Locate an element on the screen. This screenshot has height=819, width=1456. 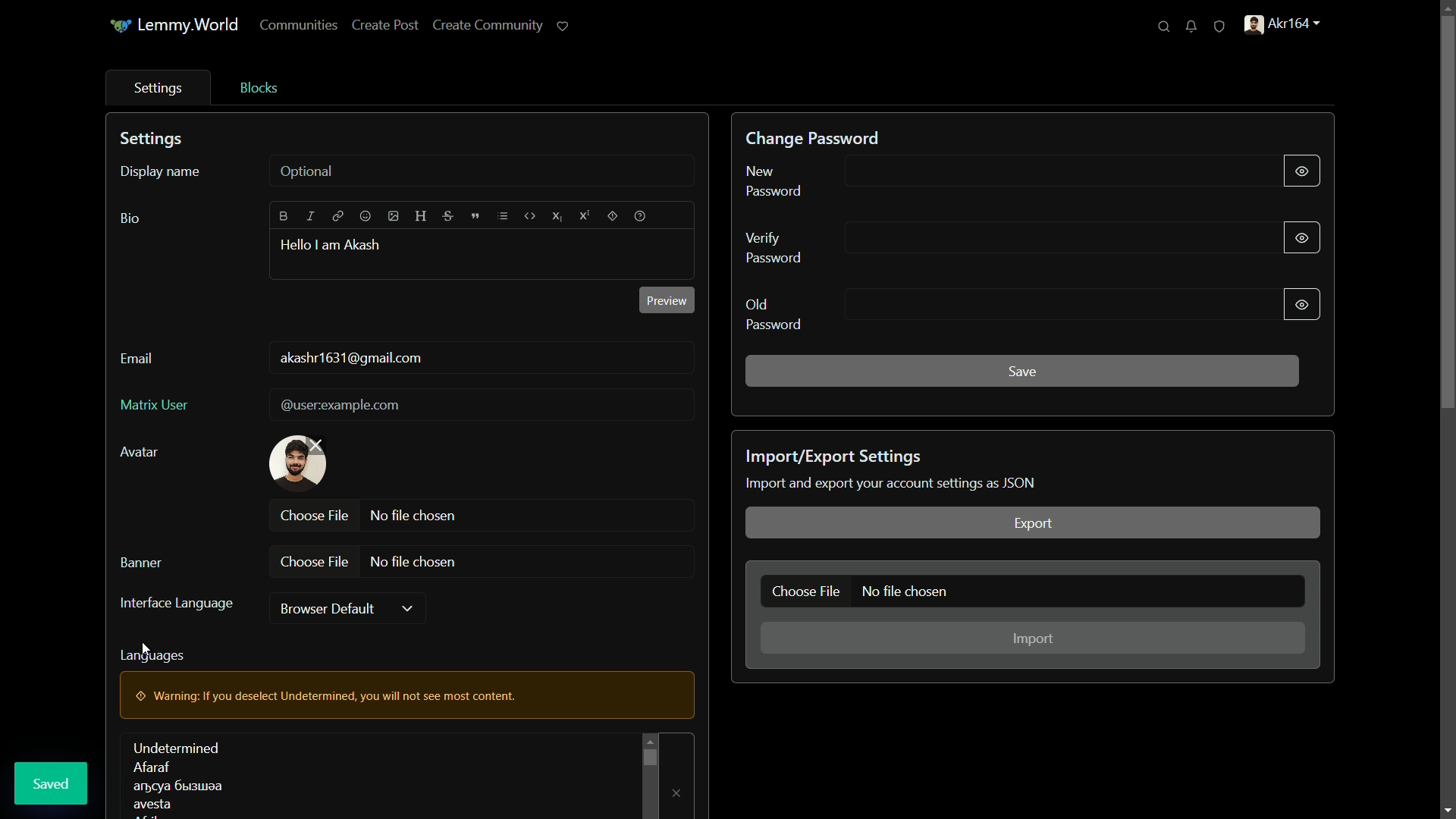
user mail is located at coordinates (351, 359).